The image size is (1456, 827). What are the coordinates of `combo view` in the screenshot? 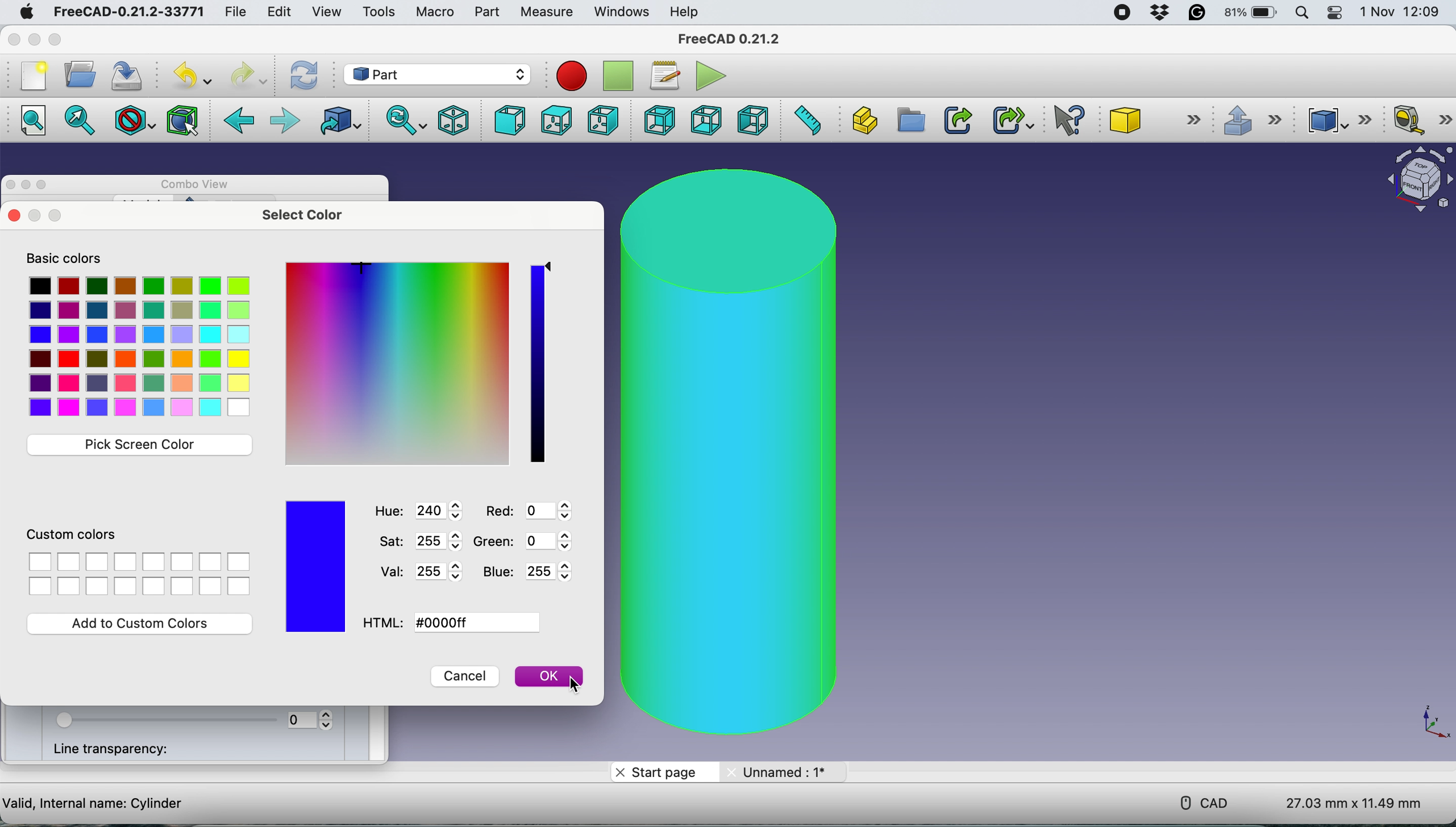 It's located at (199, 183).